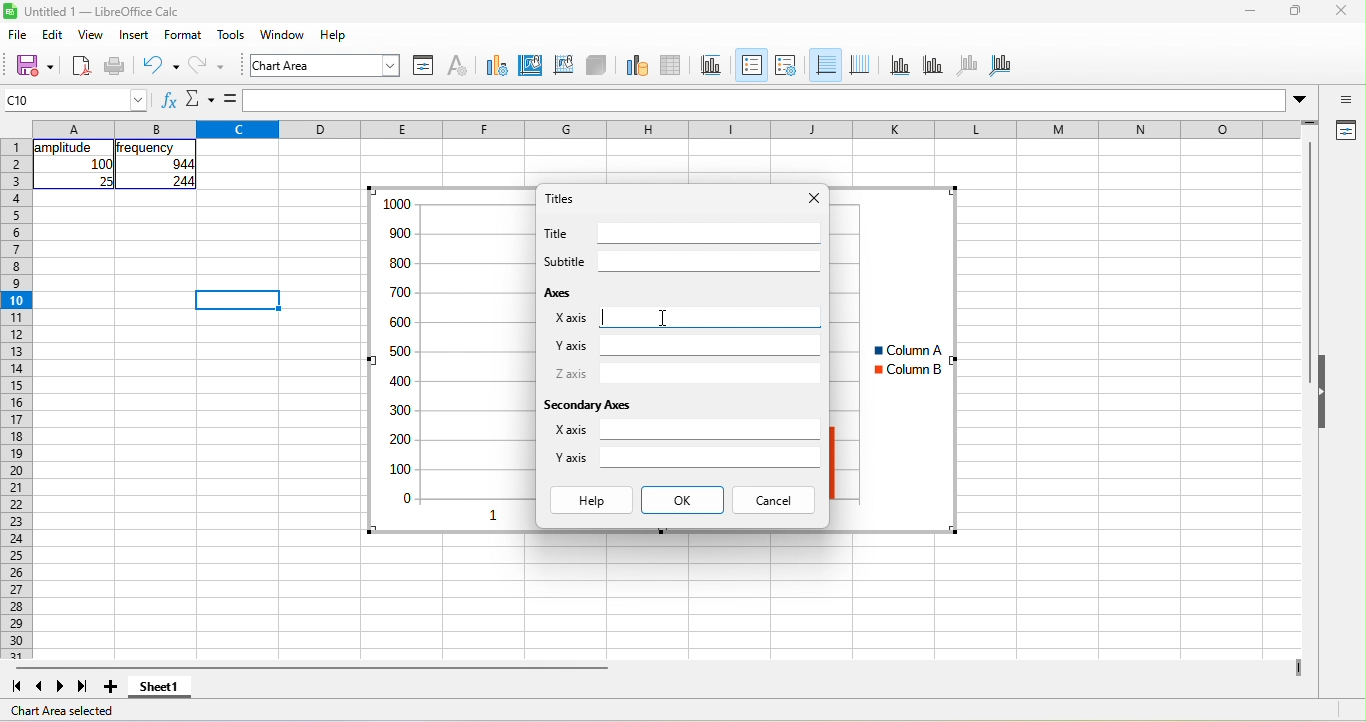 The height and width of the screenshot is (722, 1366). What do you see at coordinates (710, 261) in the screenshot?
I see `Input for subtitle` at bounding box center [710, 261].